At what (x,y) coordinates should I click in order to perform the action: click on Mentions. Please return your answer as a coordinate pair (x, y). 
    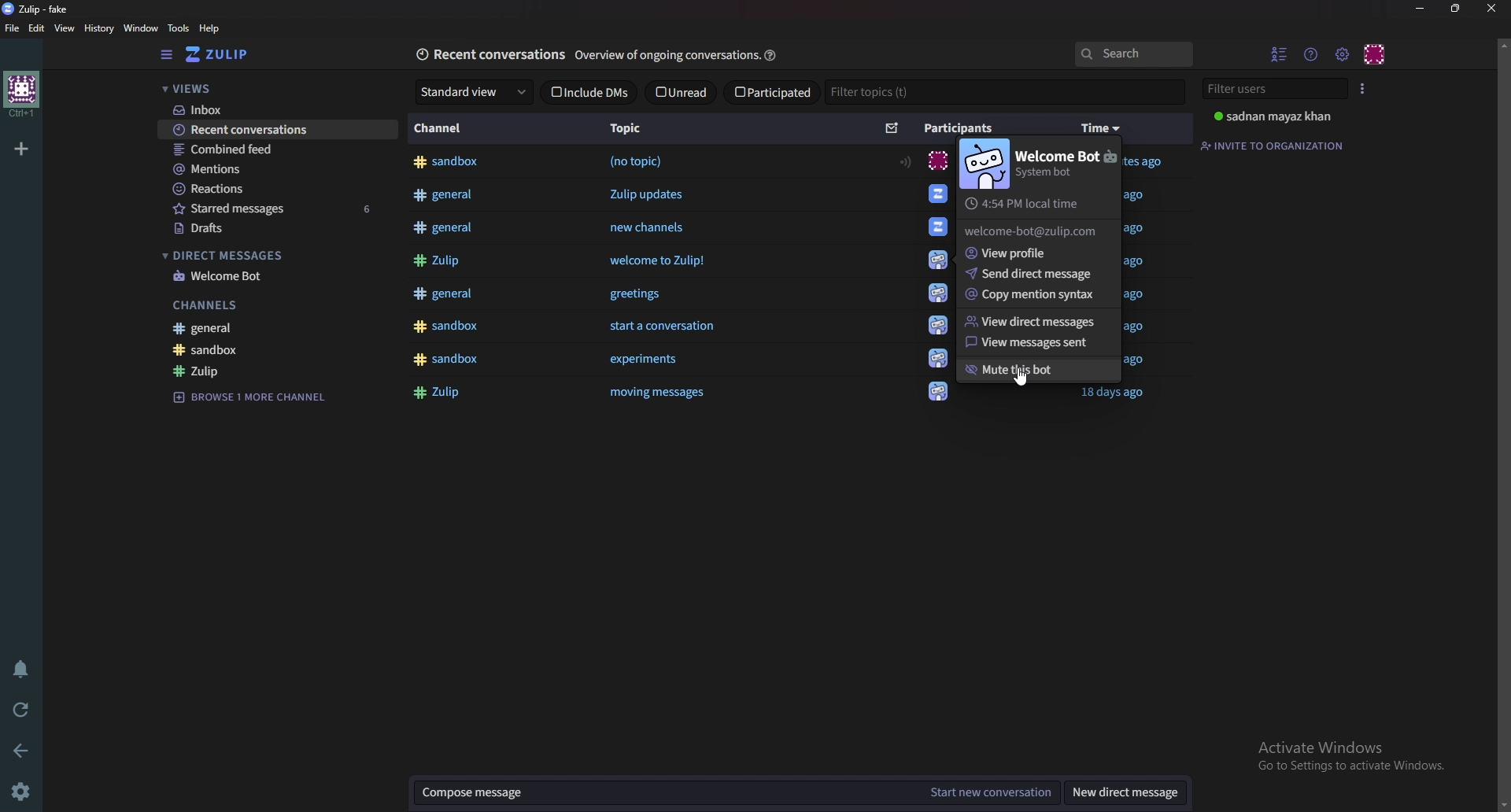
    Looking at the image, I should click on (276, 168).